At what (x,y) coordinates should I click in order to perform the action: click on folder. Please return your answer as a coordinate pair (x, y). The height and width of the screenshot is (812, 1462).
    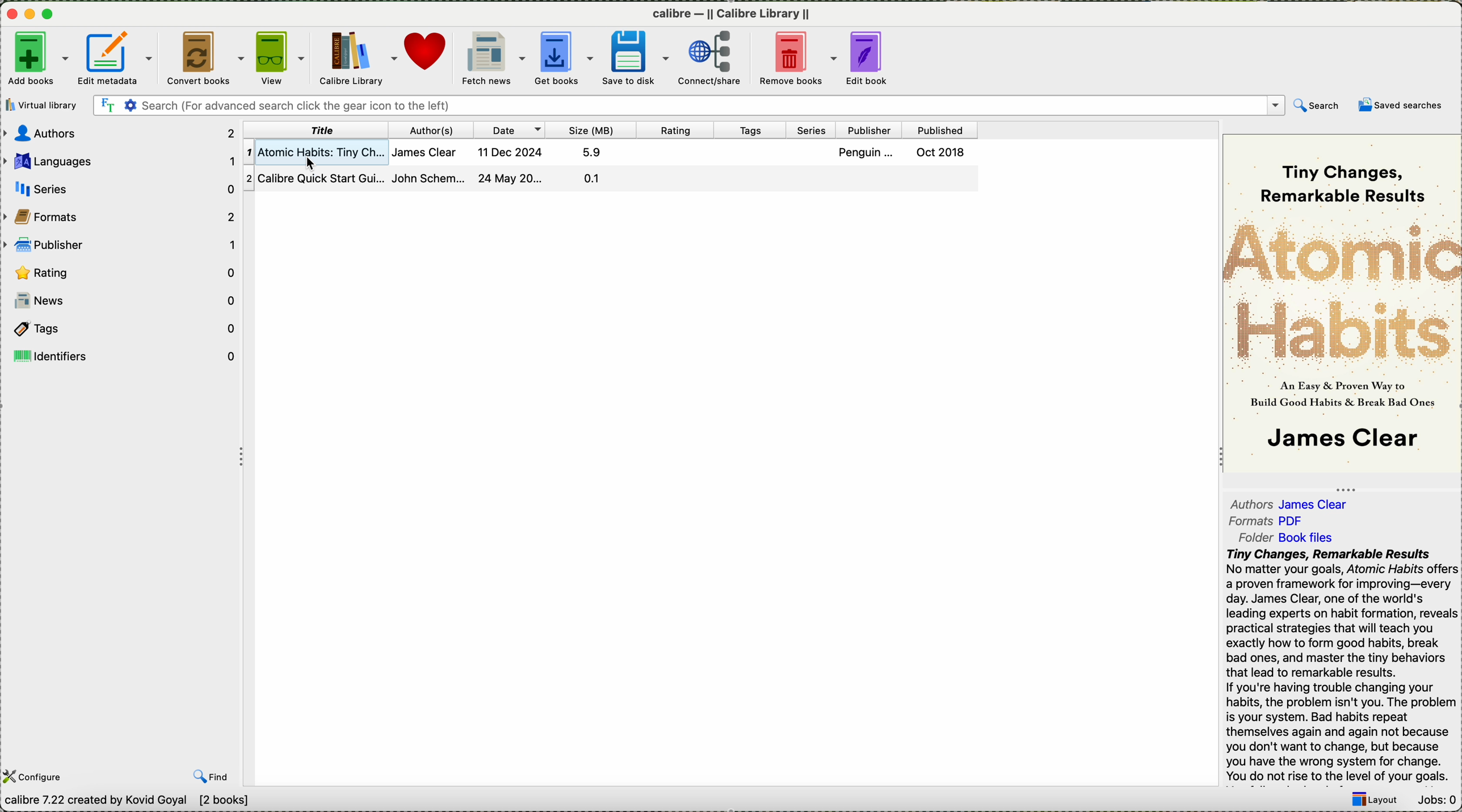
    Looking at the image, I should click on (1290, 538).